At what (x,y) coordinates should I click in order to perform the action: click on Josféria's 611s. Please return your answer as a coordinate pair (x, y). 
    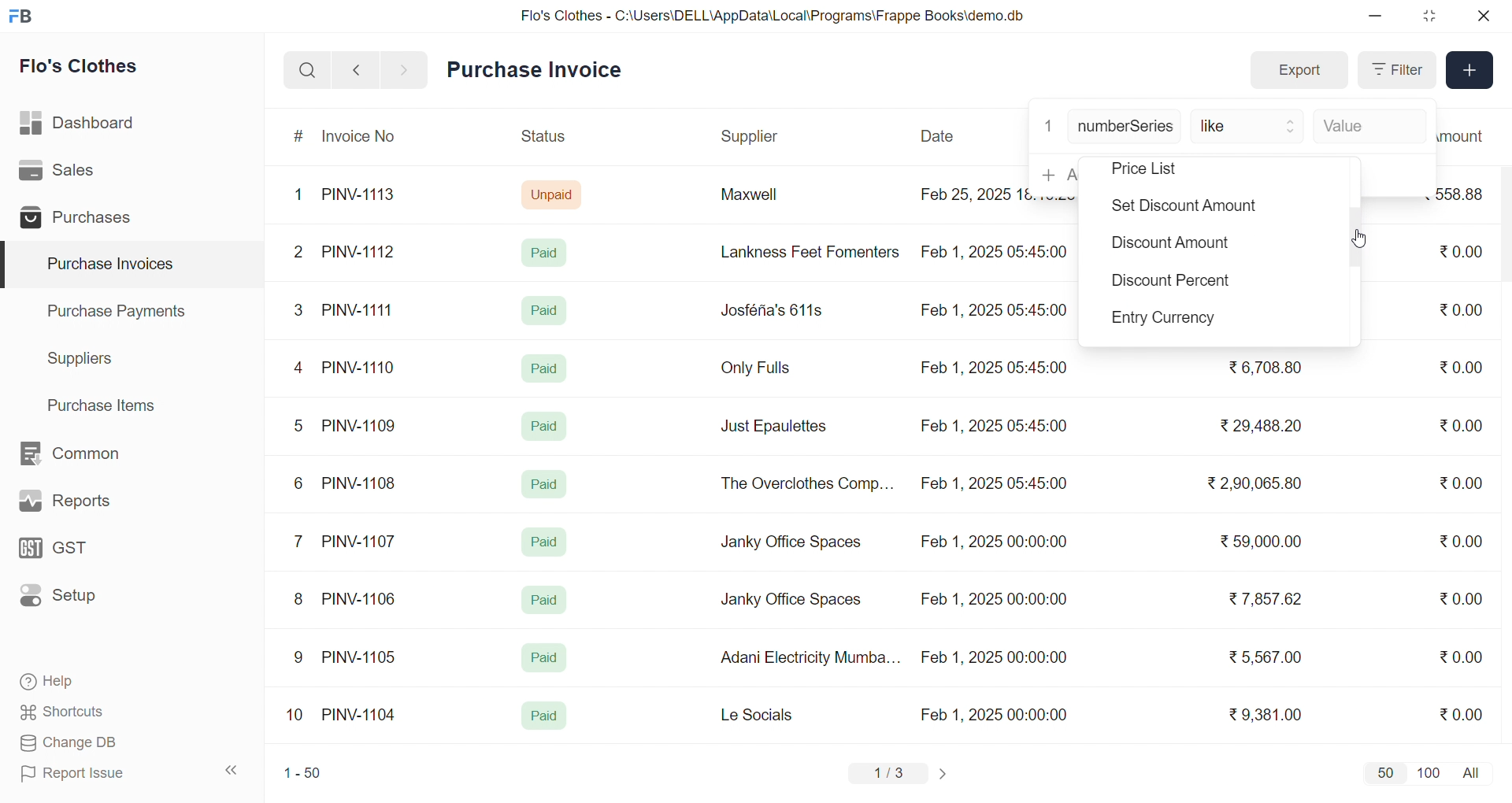
    Looking at the image, I should click on (769, 308).